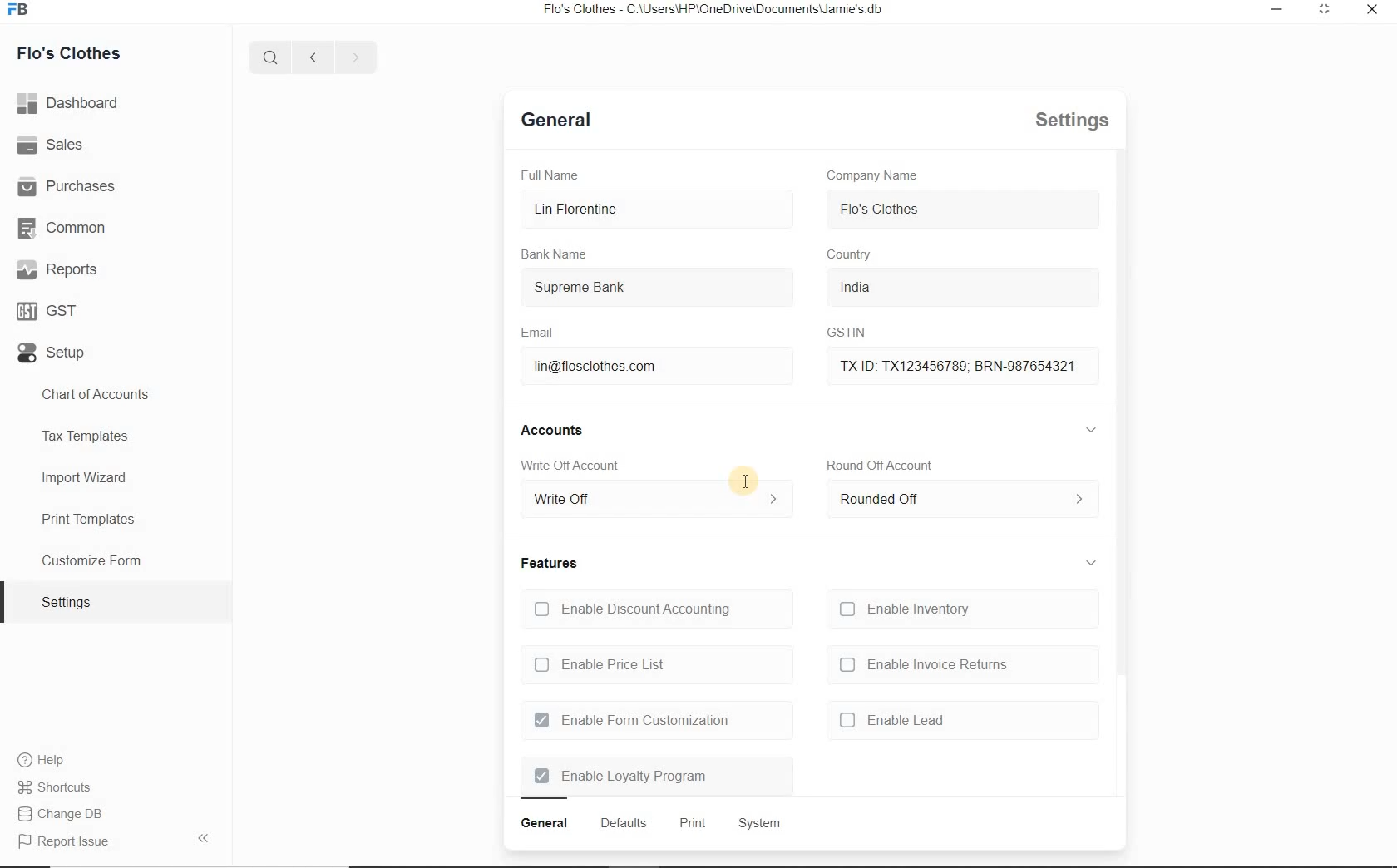 This screenshot has height=868, width=1397. Describe the element at coordinates (207, 836) in the screenshot. I see `Arrow` at that location.